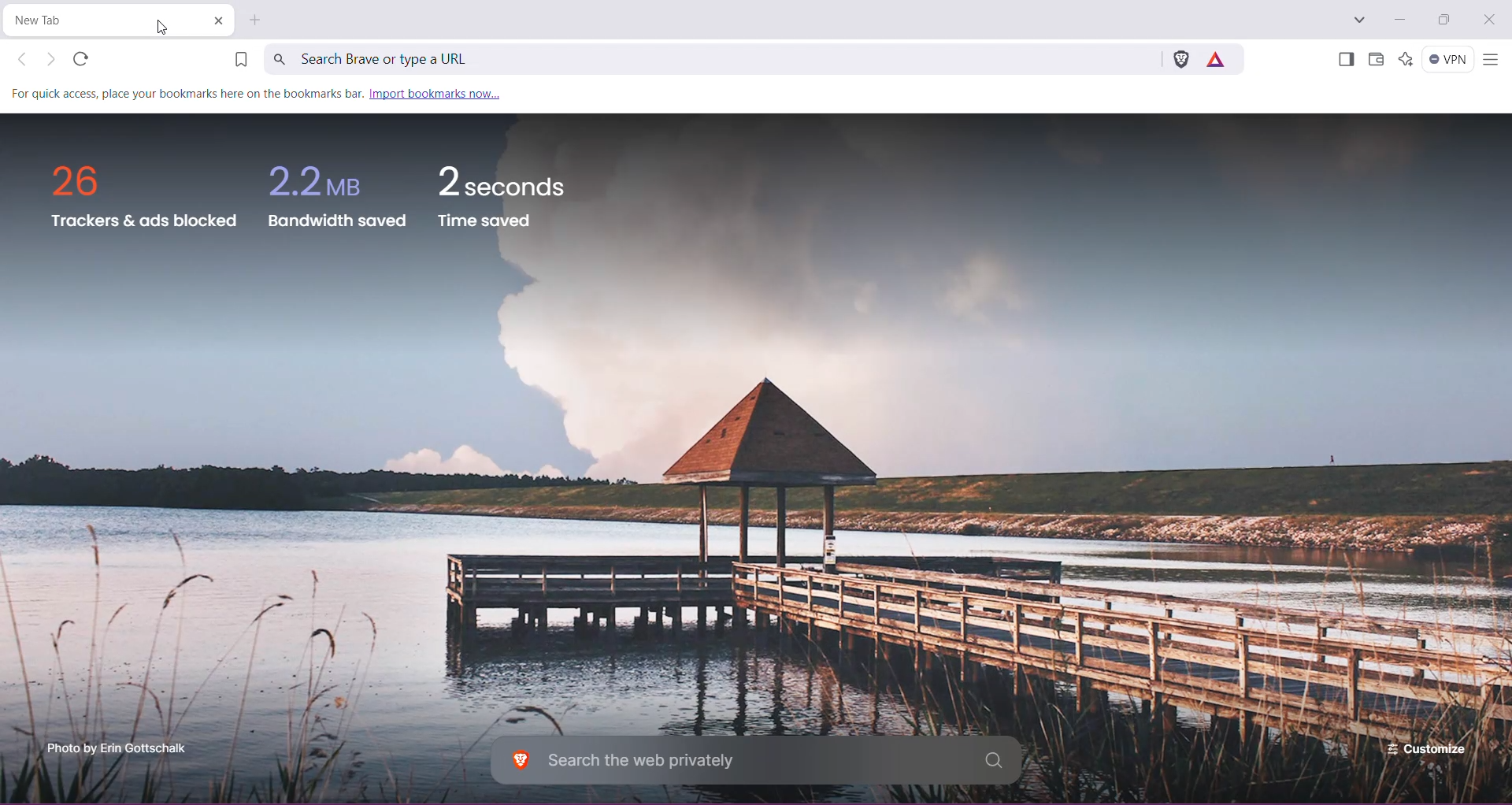 The width and height of the screenshot is (1512, 805). Describe the element at coordinates (161, 24) in the screenshot. I see `Cursor` at that location.